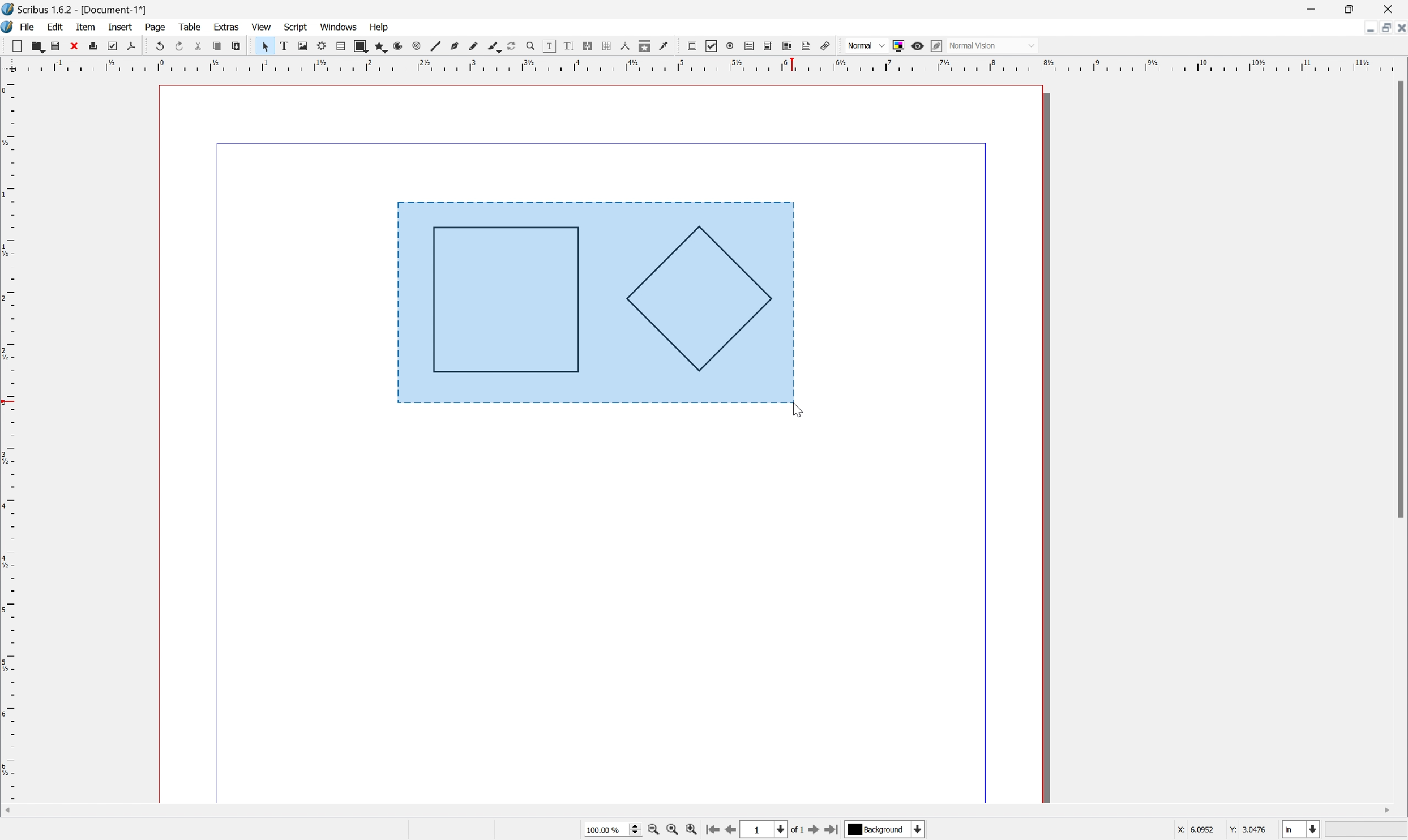 This screenshot has width=1408, height=840. I want to click on Scroll Bar, so click(1399, 299).